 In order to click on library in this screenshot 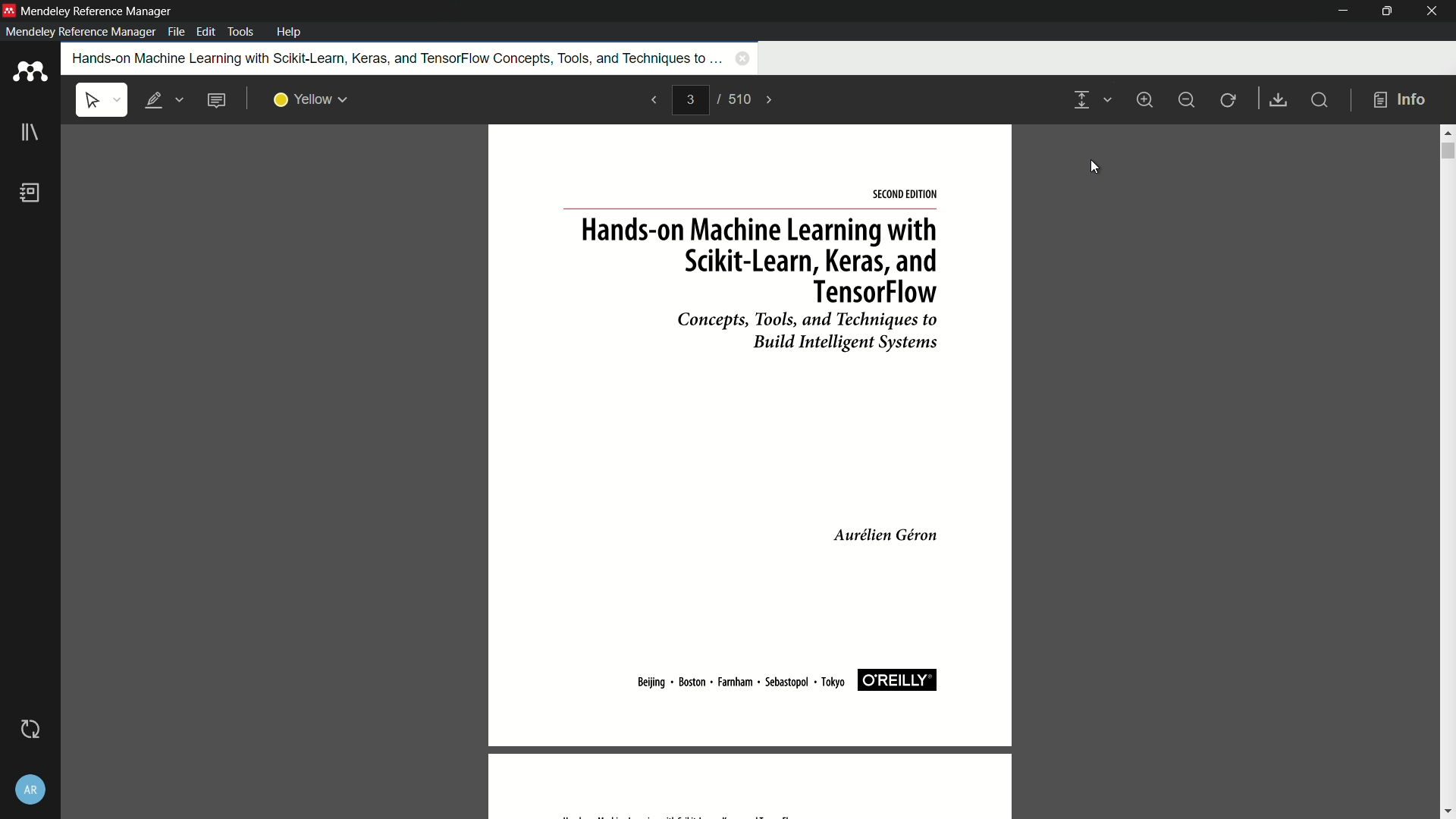, I will do `click(29, 133)`.